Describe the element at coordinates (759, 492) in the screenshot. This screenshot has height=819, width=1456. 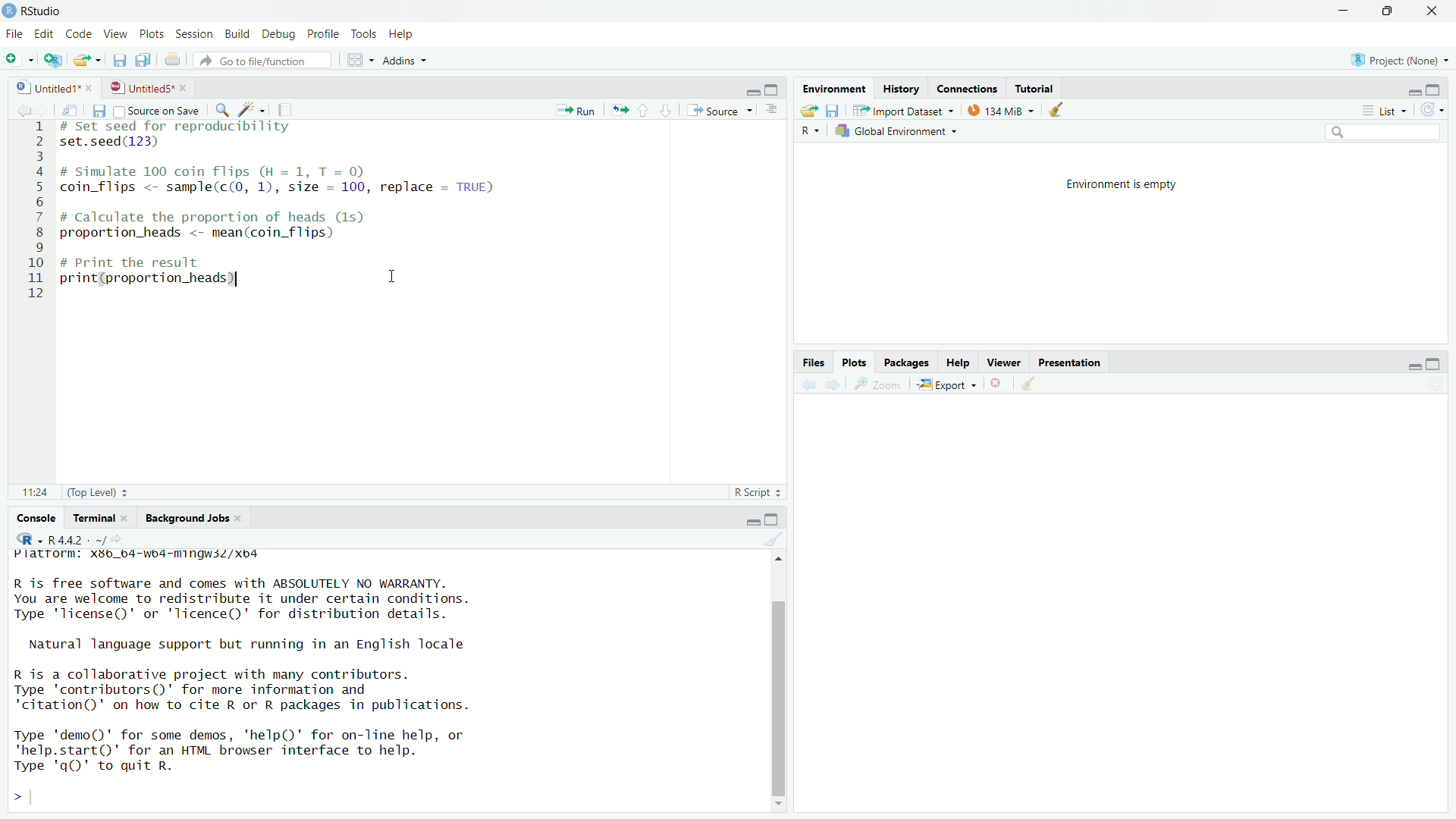
I see `R Script` at that location.